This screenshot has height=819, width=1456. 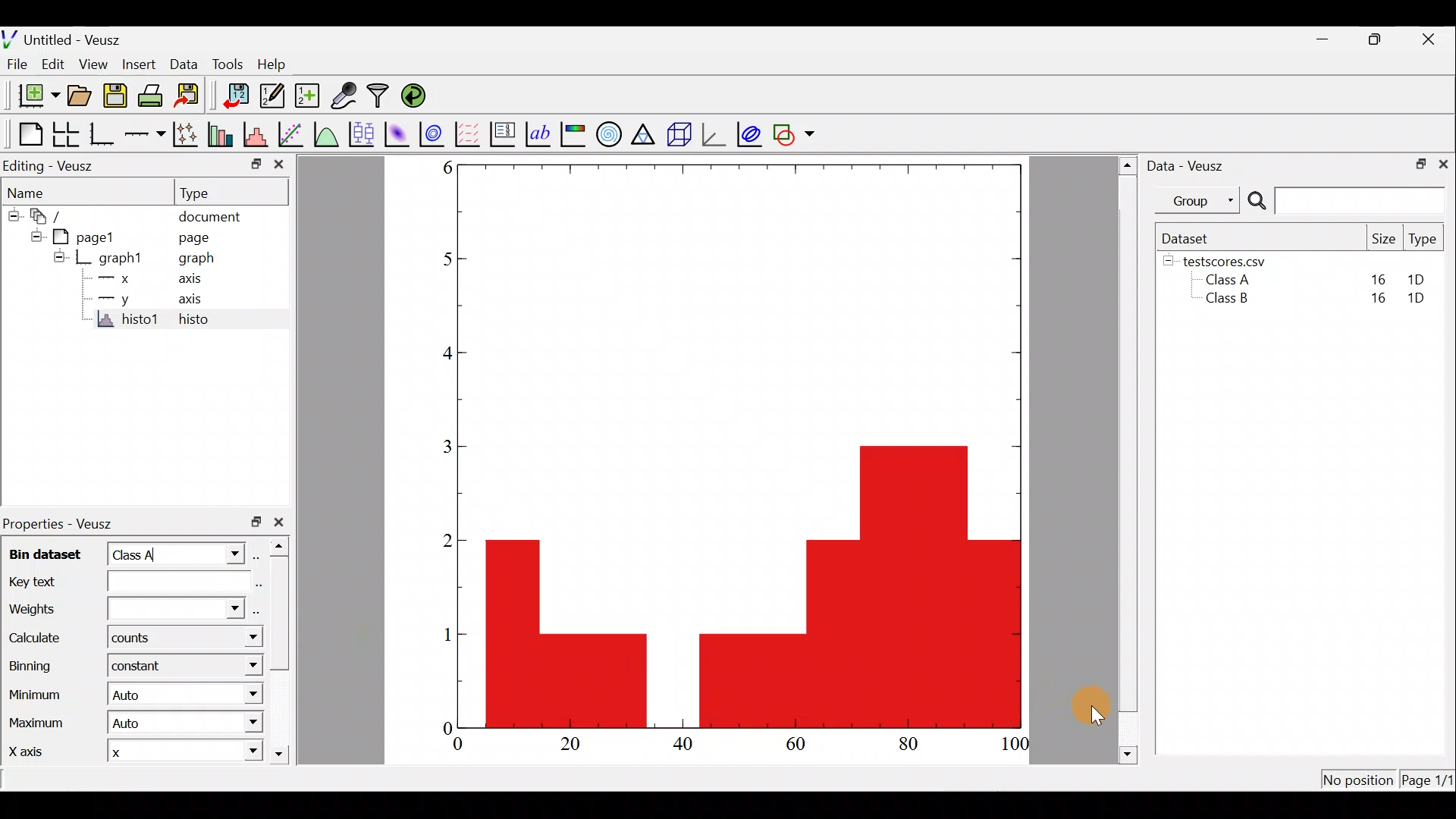 What do you see at coordinates (144, 135) in the screenshot?
I see `Add an axis to the plot` at bounding box center [144, 135].